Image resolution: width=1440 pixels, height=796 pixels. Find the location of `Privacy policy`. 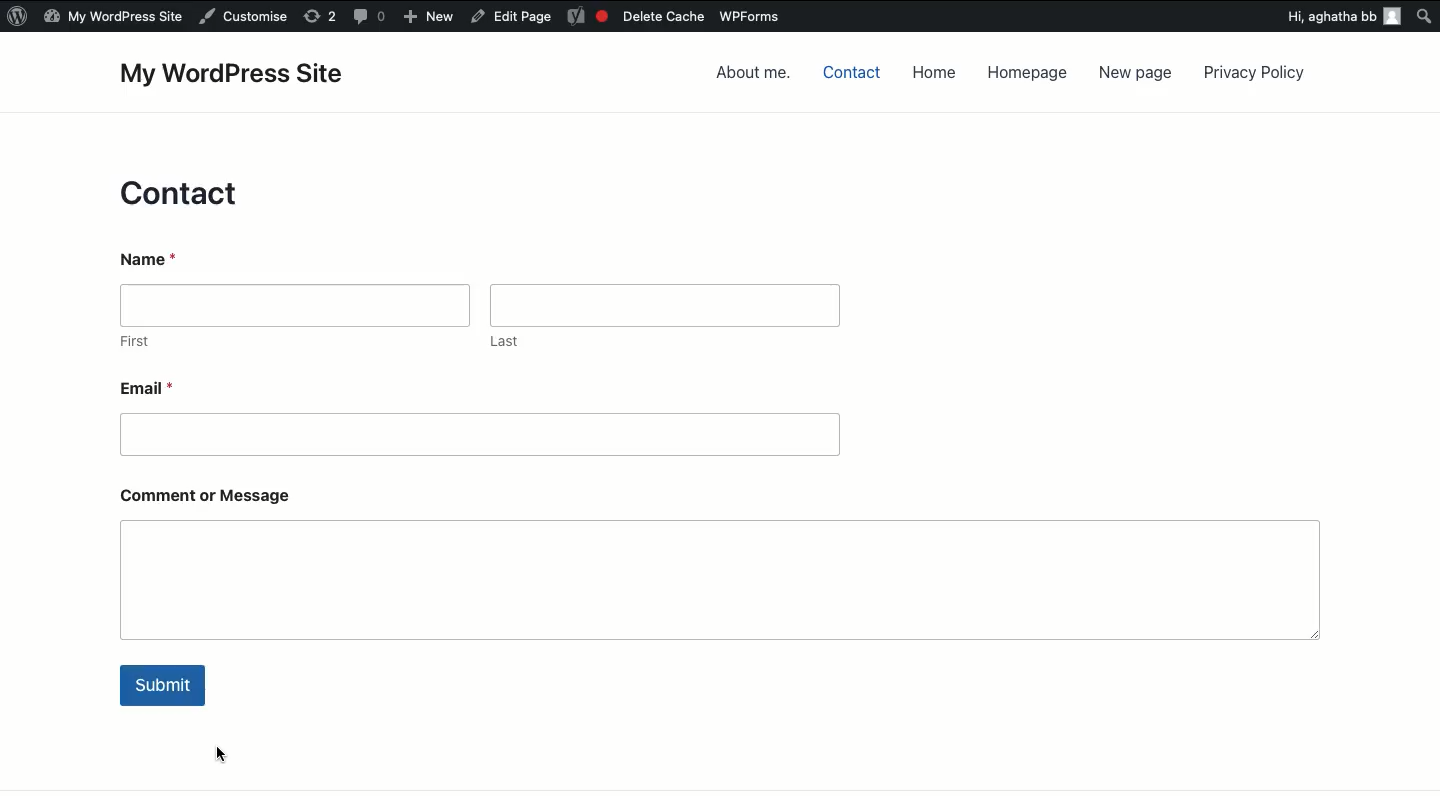

Privacy policy is located at coordinates (1253, 70).